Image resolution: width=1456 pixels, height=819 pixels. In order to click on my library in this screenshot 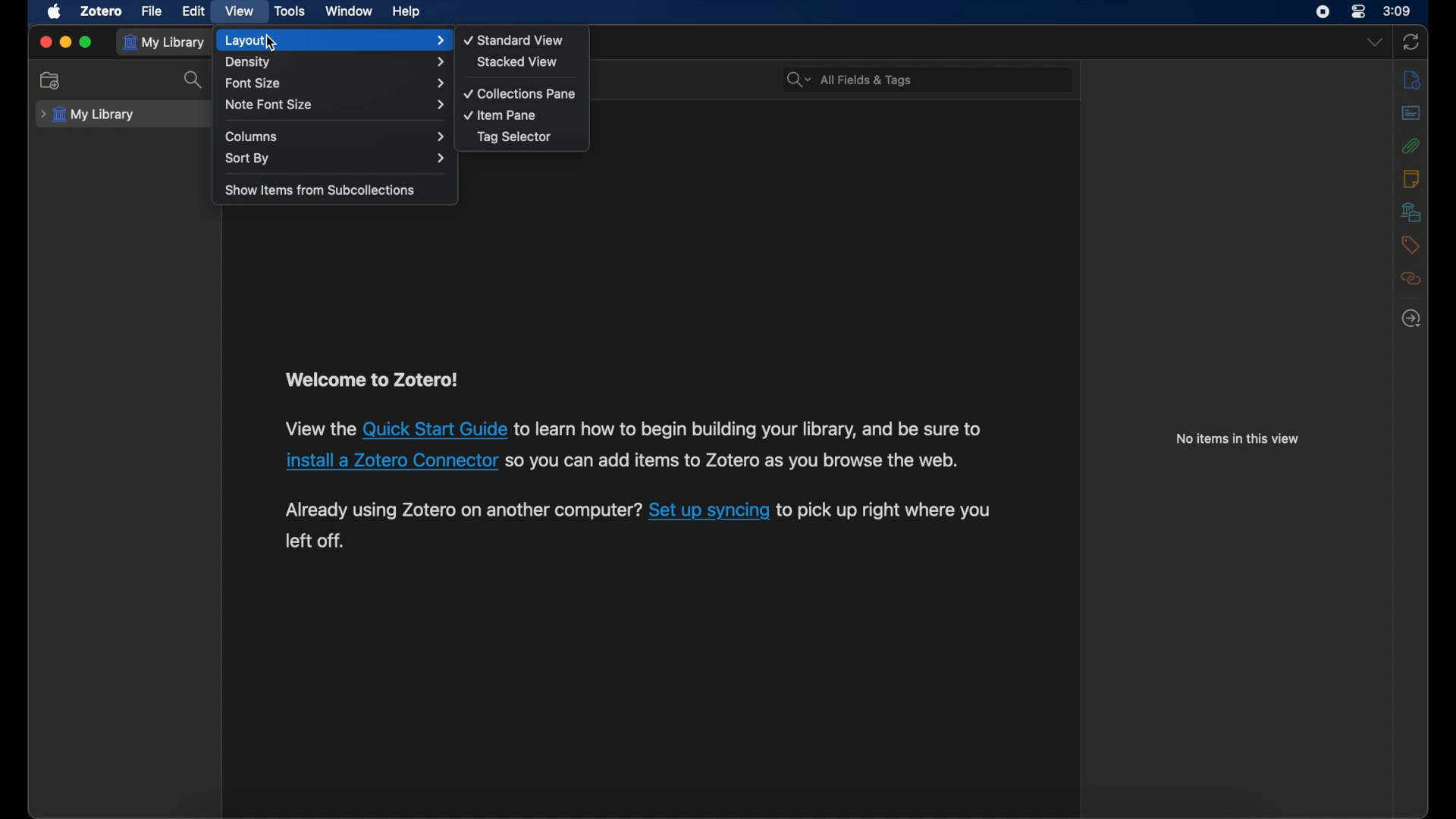, I will do `click(165, 42)`.